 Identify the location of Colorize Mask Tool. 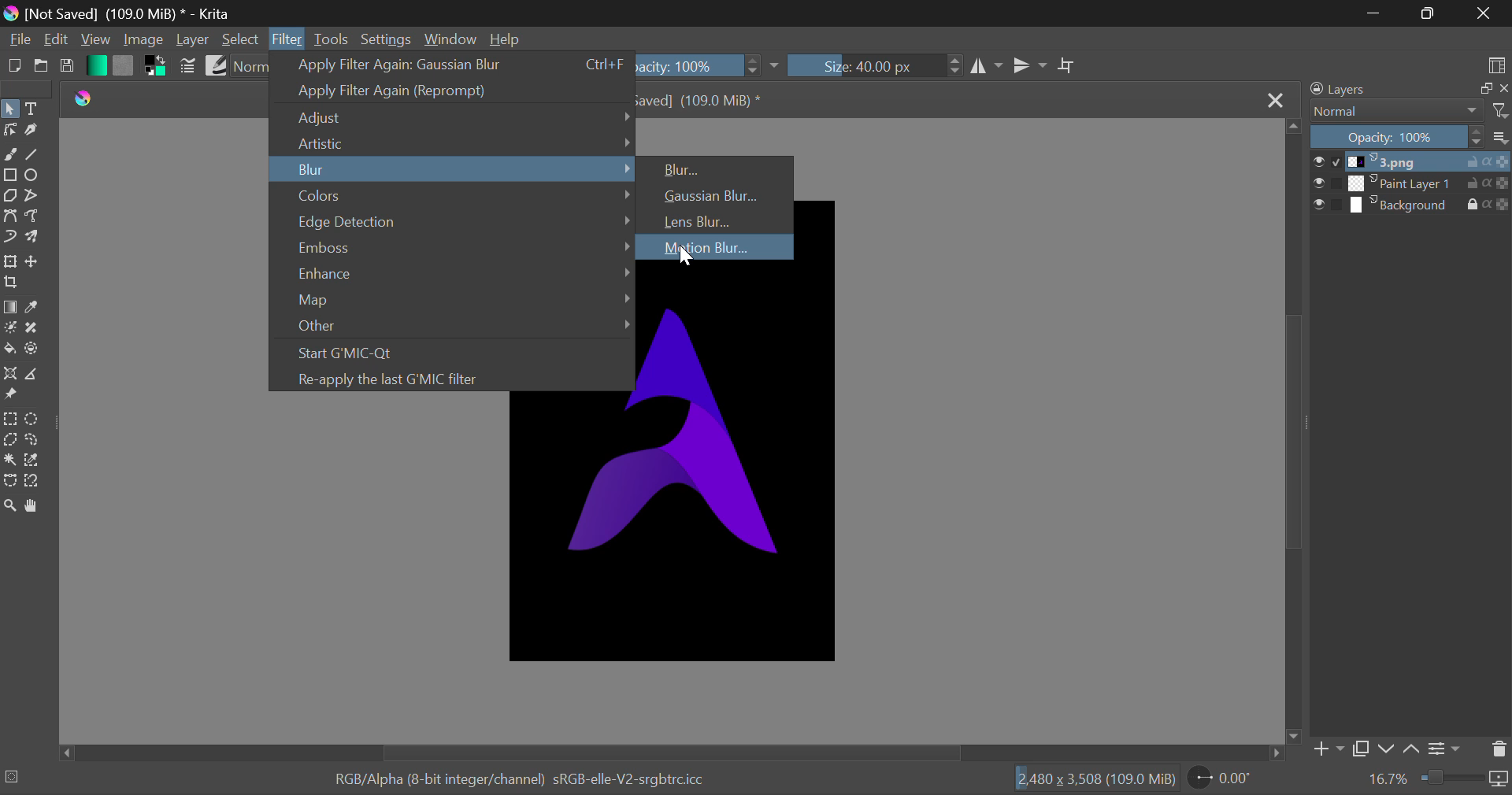
(9, 327).